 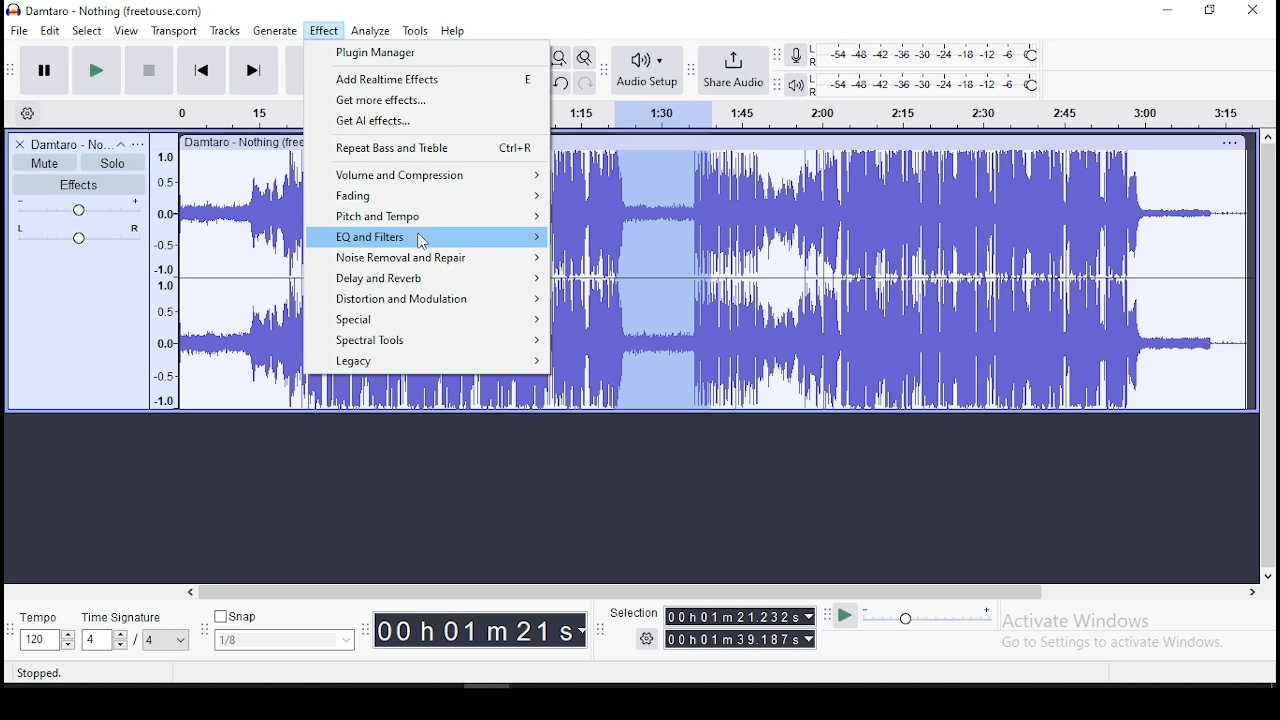 I want to click on share audio, so click(x=735, y=72).